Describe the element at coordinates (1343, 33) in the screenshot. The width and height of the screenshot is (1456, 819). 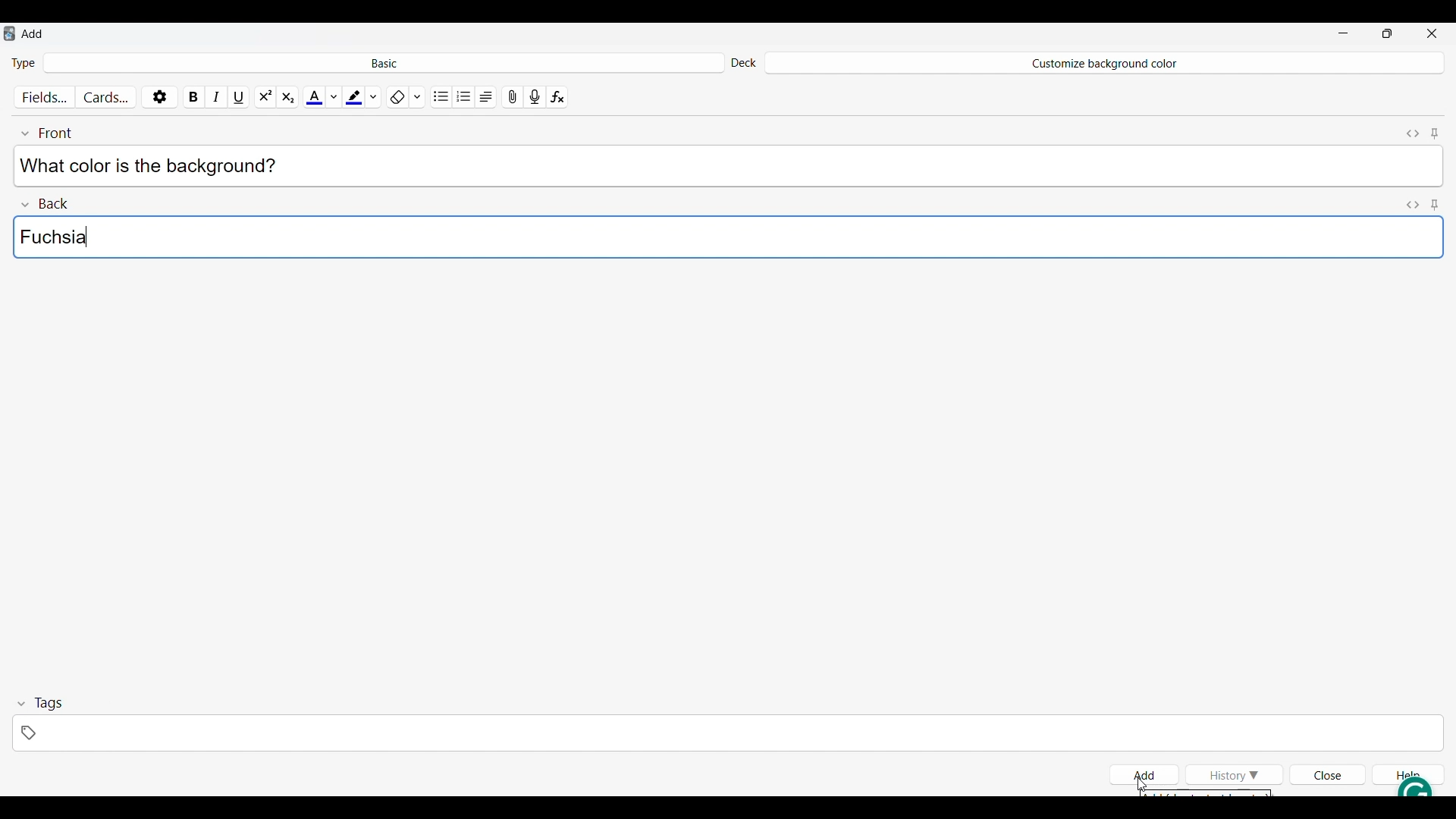
I see `Minimize` at that location.